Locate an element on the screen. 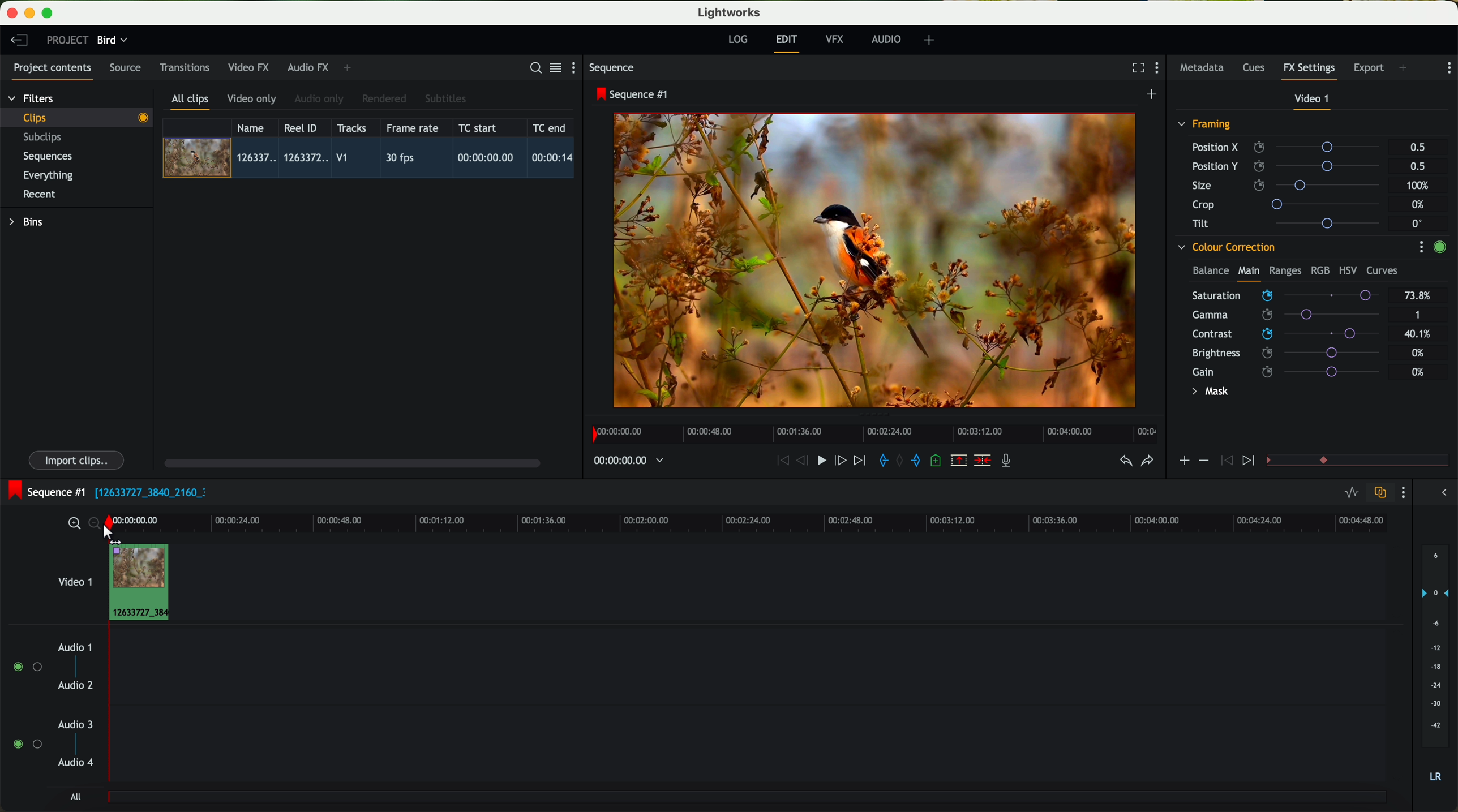  TC start is located at coordinates (479, 127).